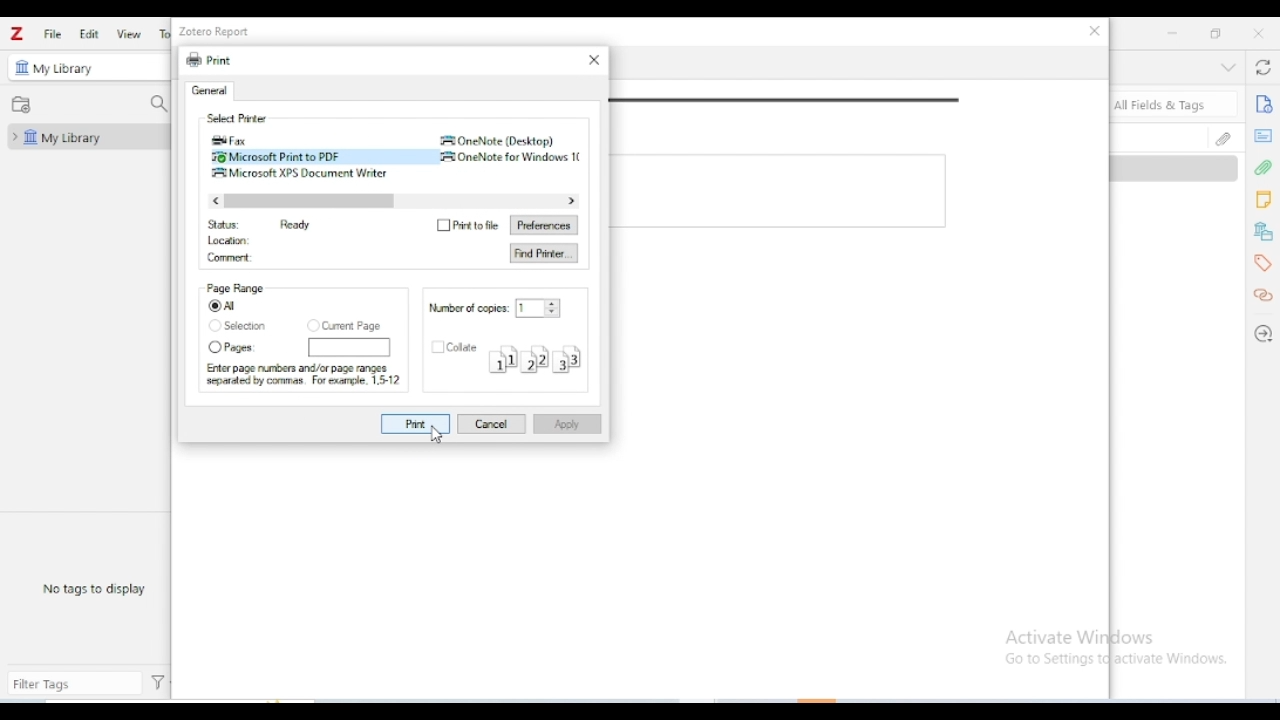  Describe the element at coordinates (219, 61) in the screenshot. I see `print` at that location.